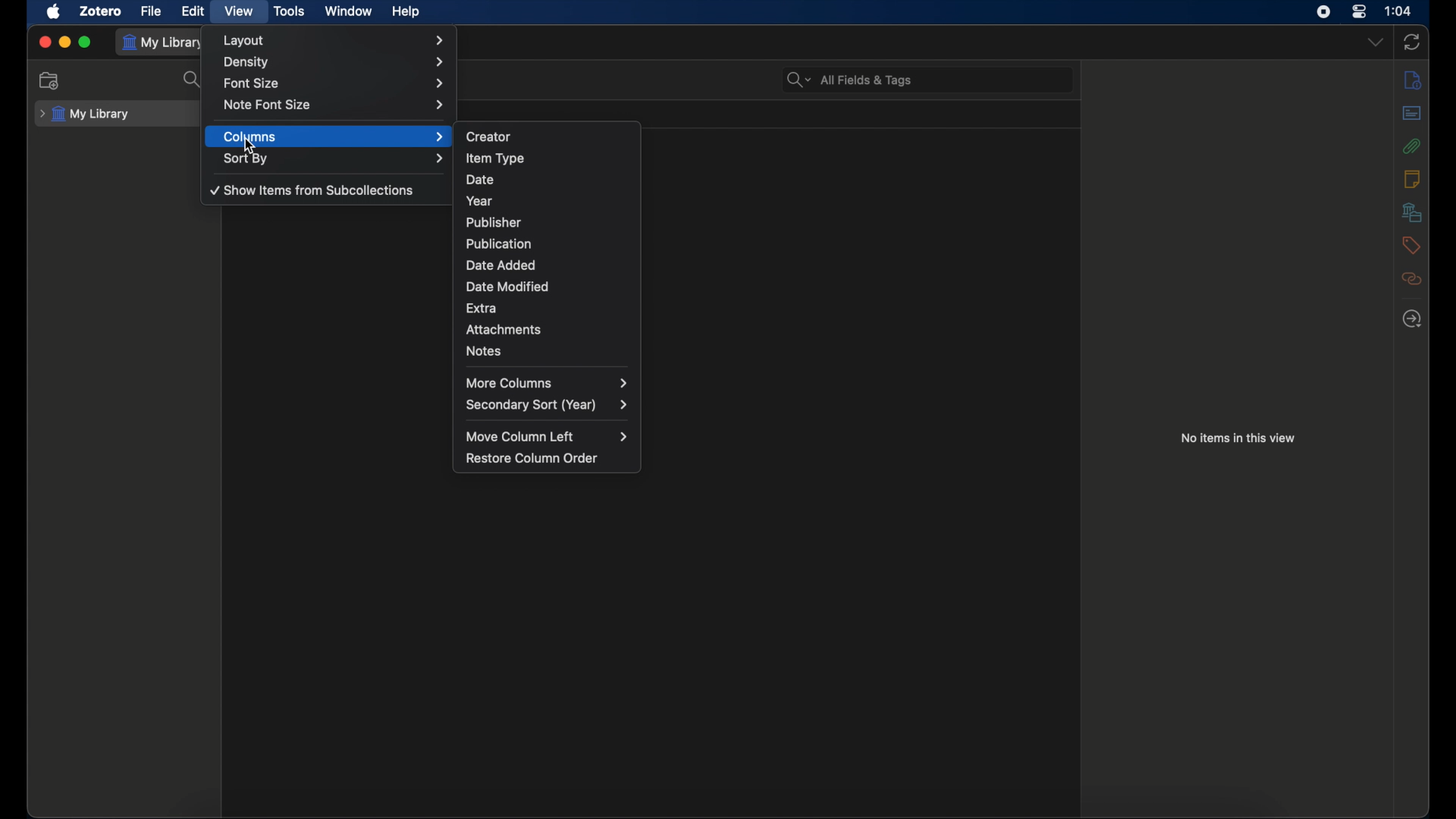 This screenshot has width=1456, height=819. Describe the element at coordinates (332, 62) in the screenshot. I see `density` at that location.